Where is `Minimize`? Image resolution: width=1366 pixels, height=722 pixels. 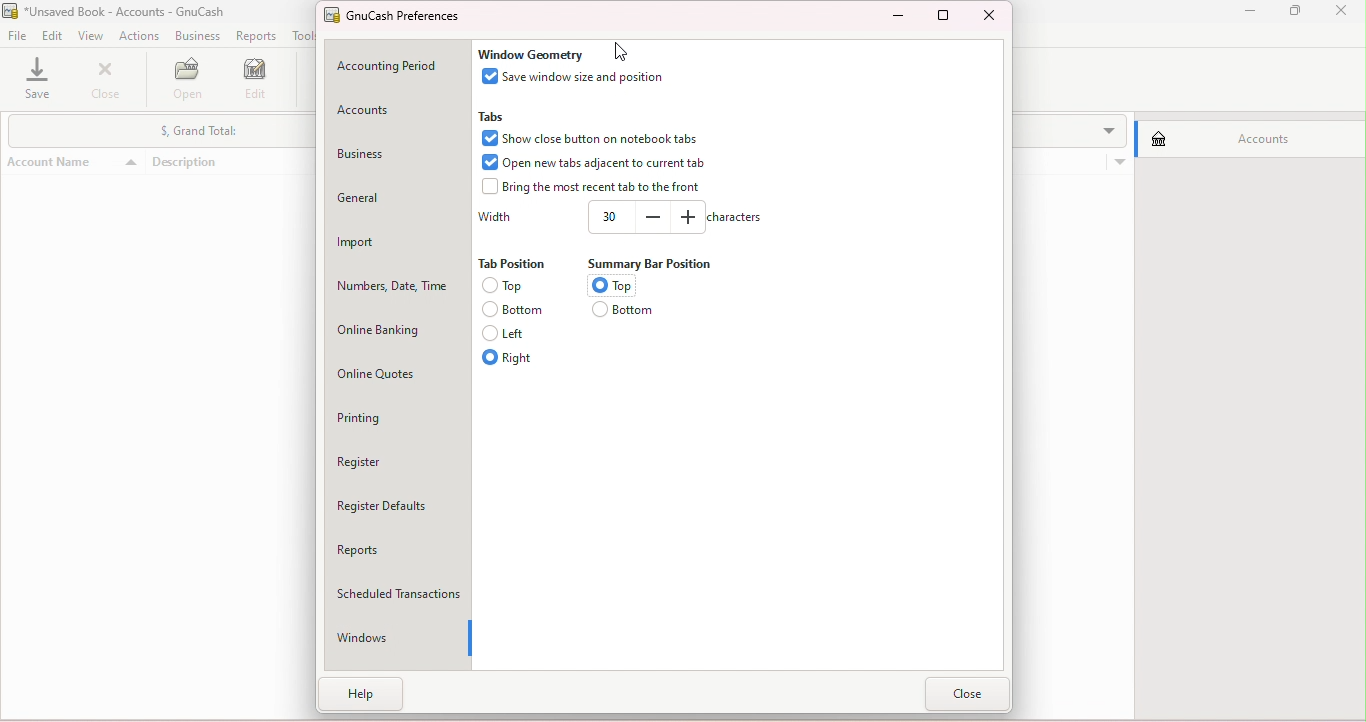 Minimize is located at coordinates (1247, 14).